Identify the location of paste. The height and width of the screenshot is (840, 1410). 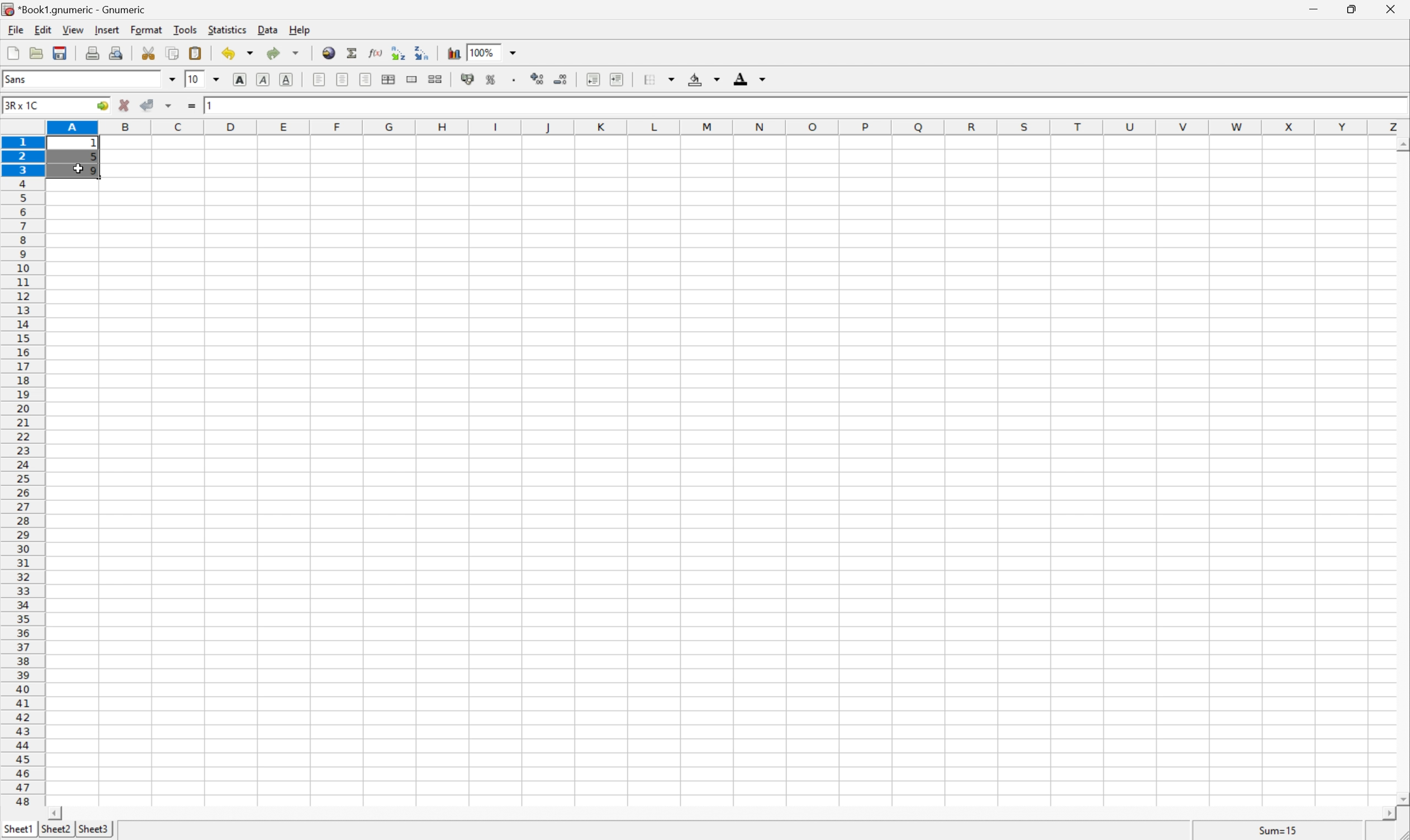
(198, 53).